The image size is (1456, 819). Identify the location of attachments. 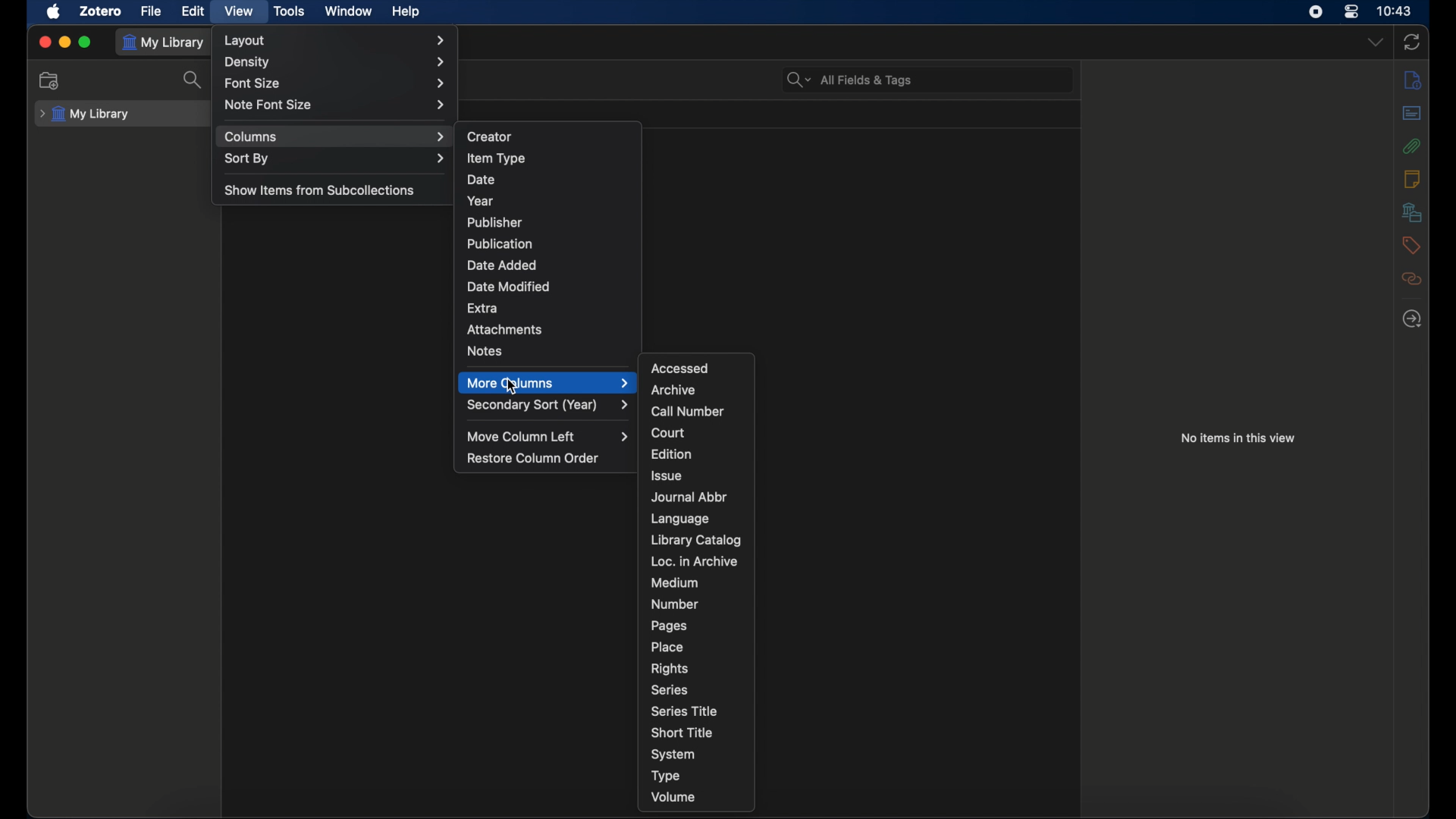
(505, 330).